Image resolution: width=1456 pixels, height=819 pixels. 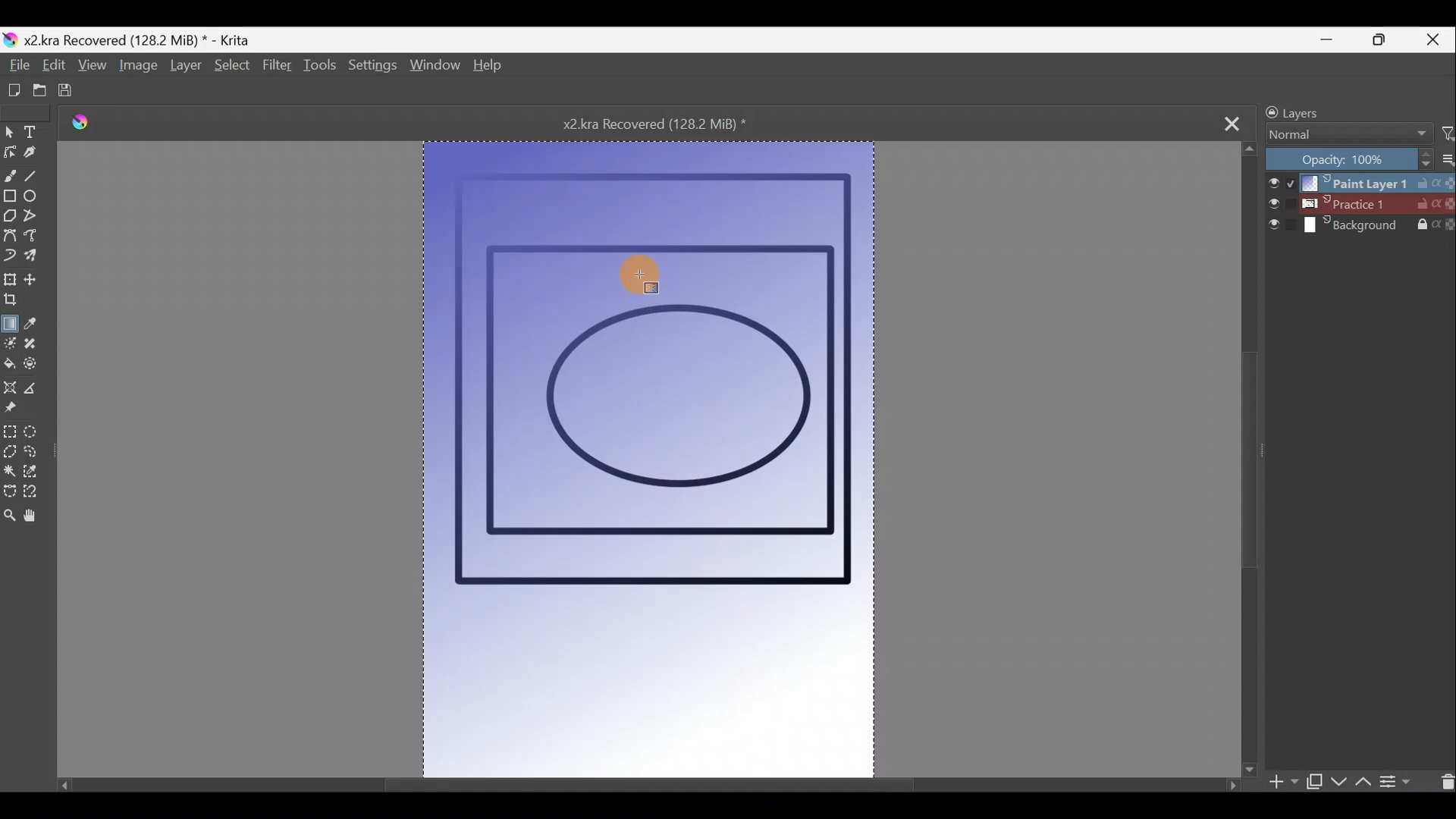 What do you see at coordinates (322, 69) in the screenshot?
I see `Tools` at bounding box center [322, 69].